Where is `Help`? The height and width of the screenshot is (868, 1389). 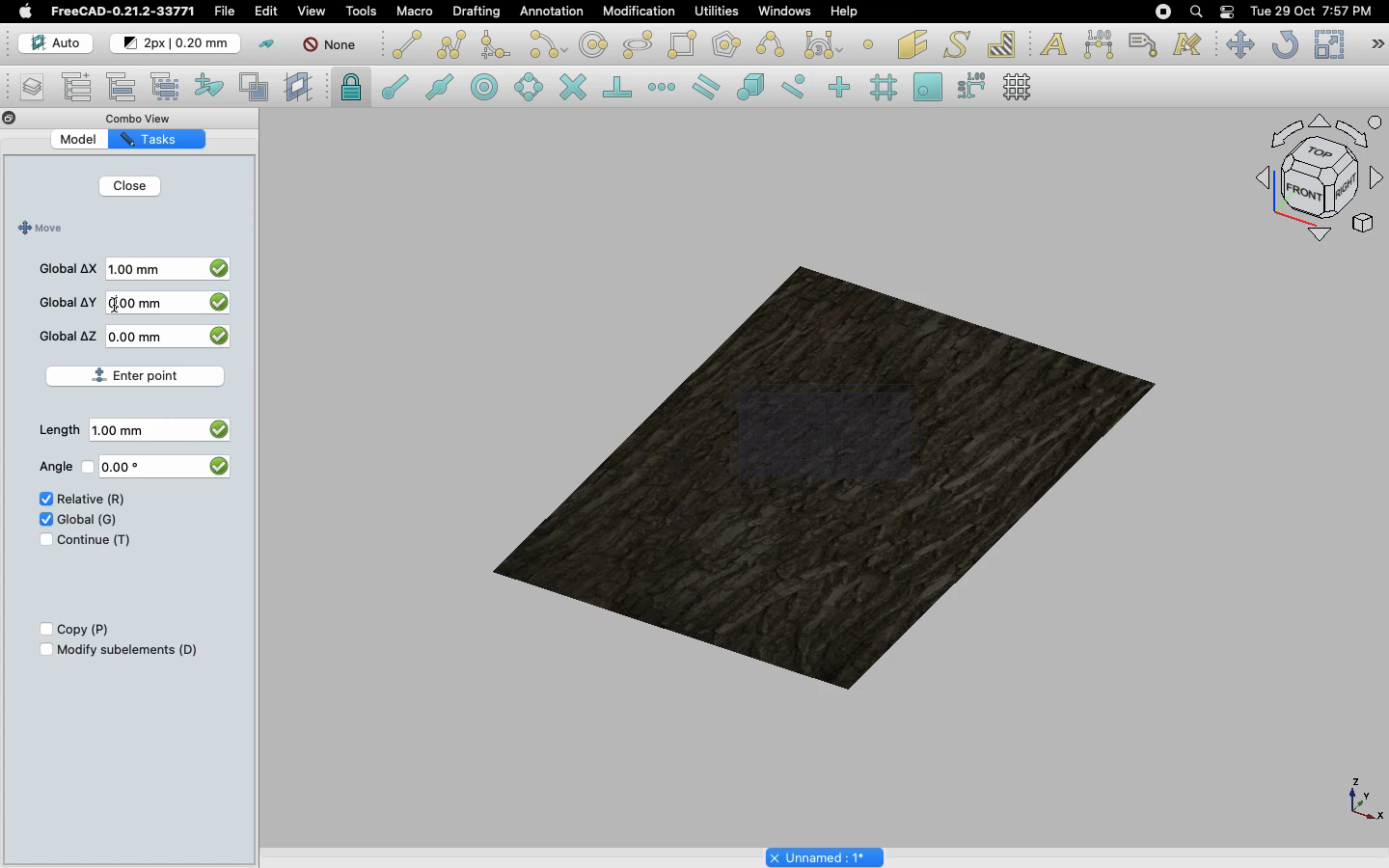 Help is located at coordinates (844, 11).